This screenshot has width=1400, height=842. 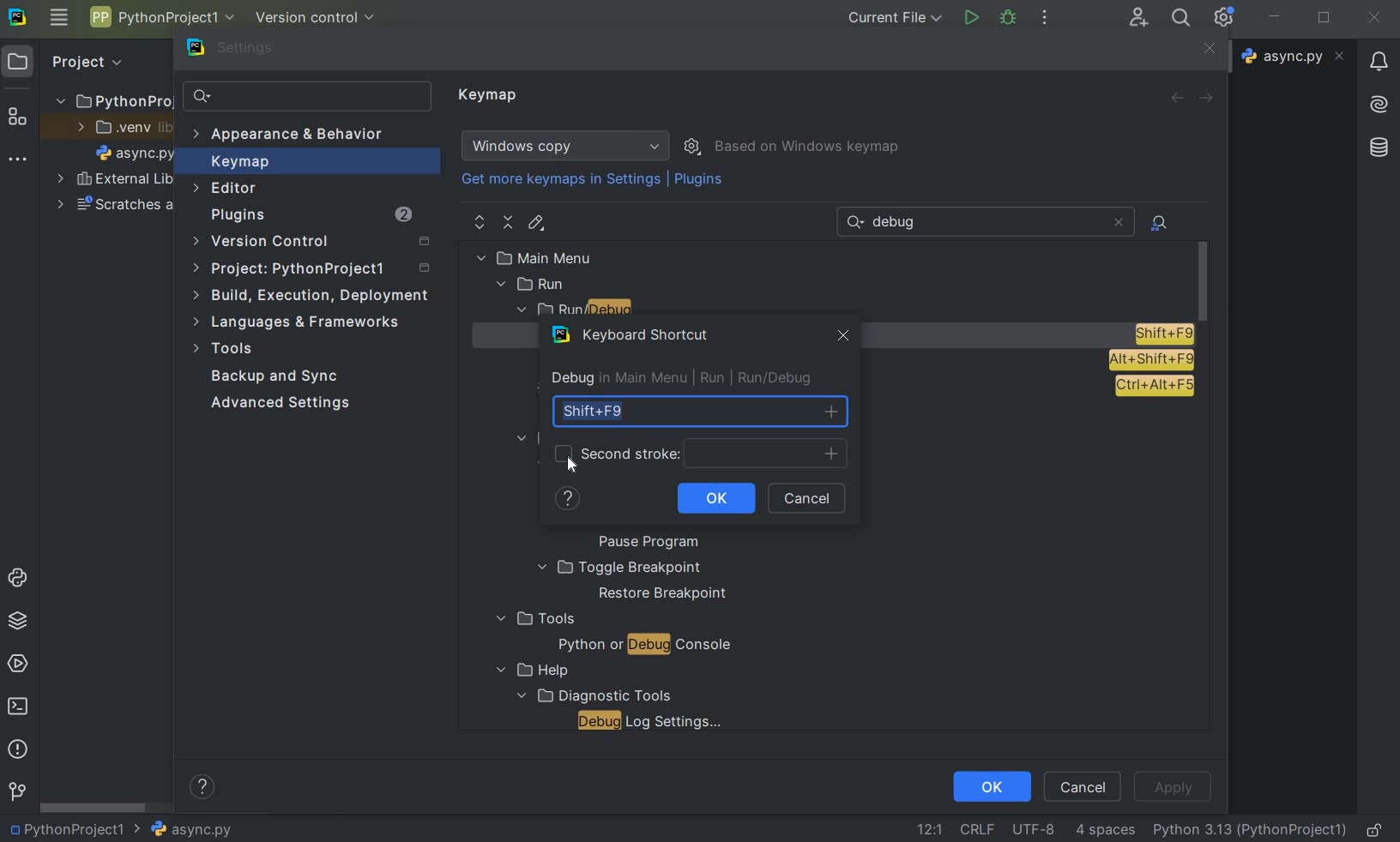 What do you see at coordinates (490, 96) in the screenshot?
I see `keymap` at bounding box center [490, 96].